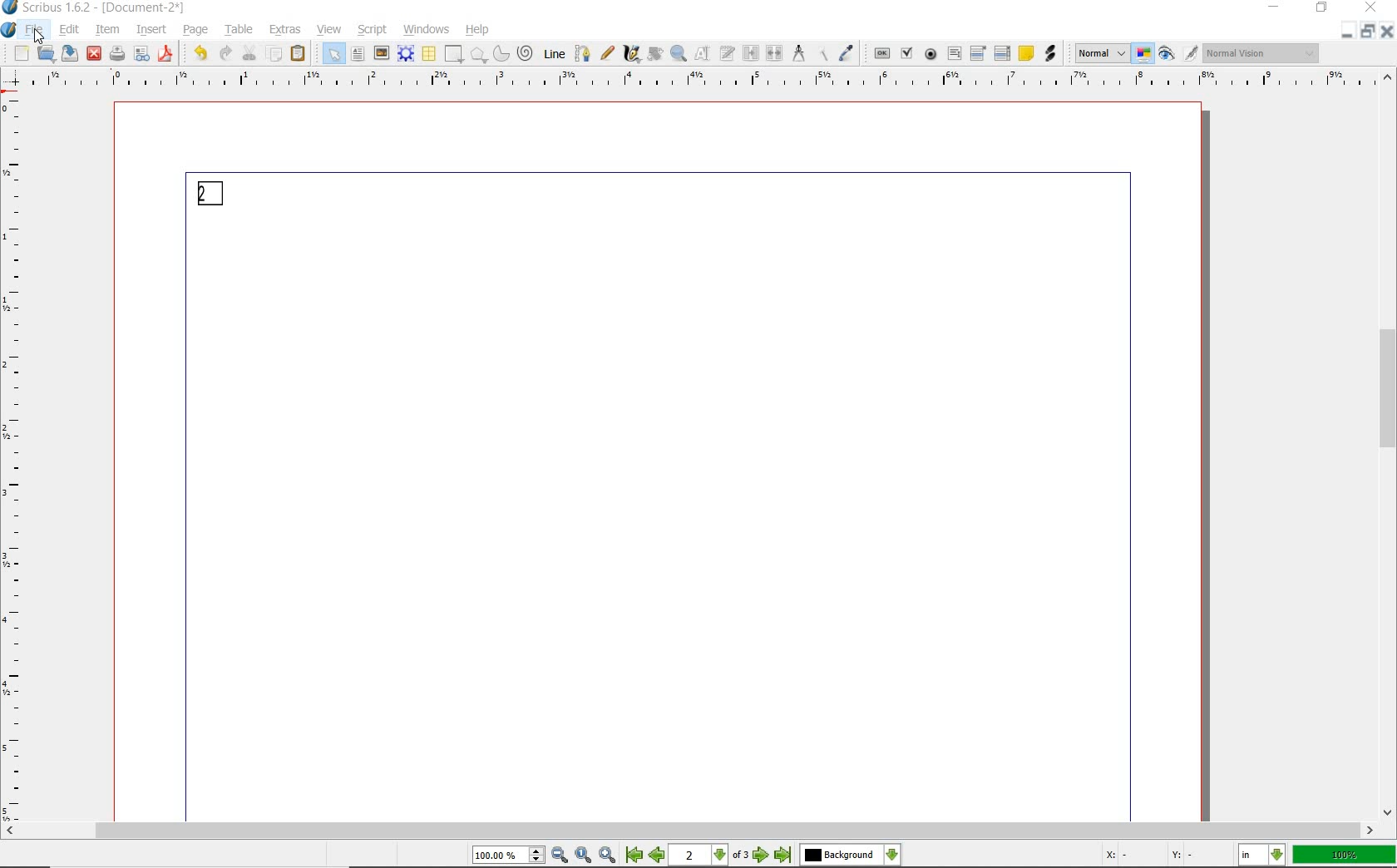 The width and height of the screenshot is (1397, 868). Describe the element at coordinates (774, 53) in the screenshot. I see `unlink text frames` at that location.